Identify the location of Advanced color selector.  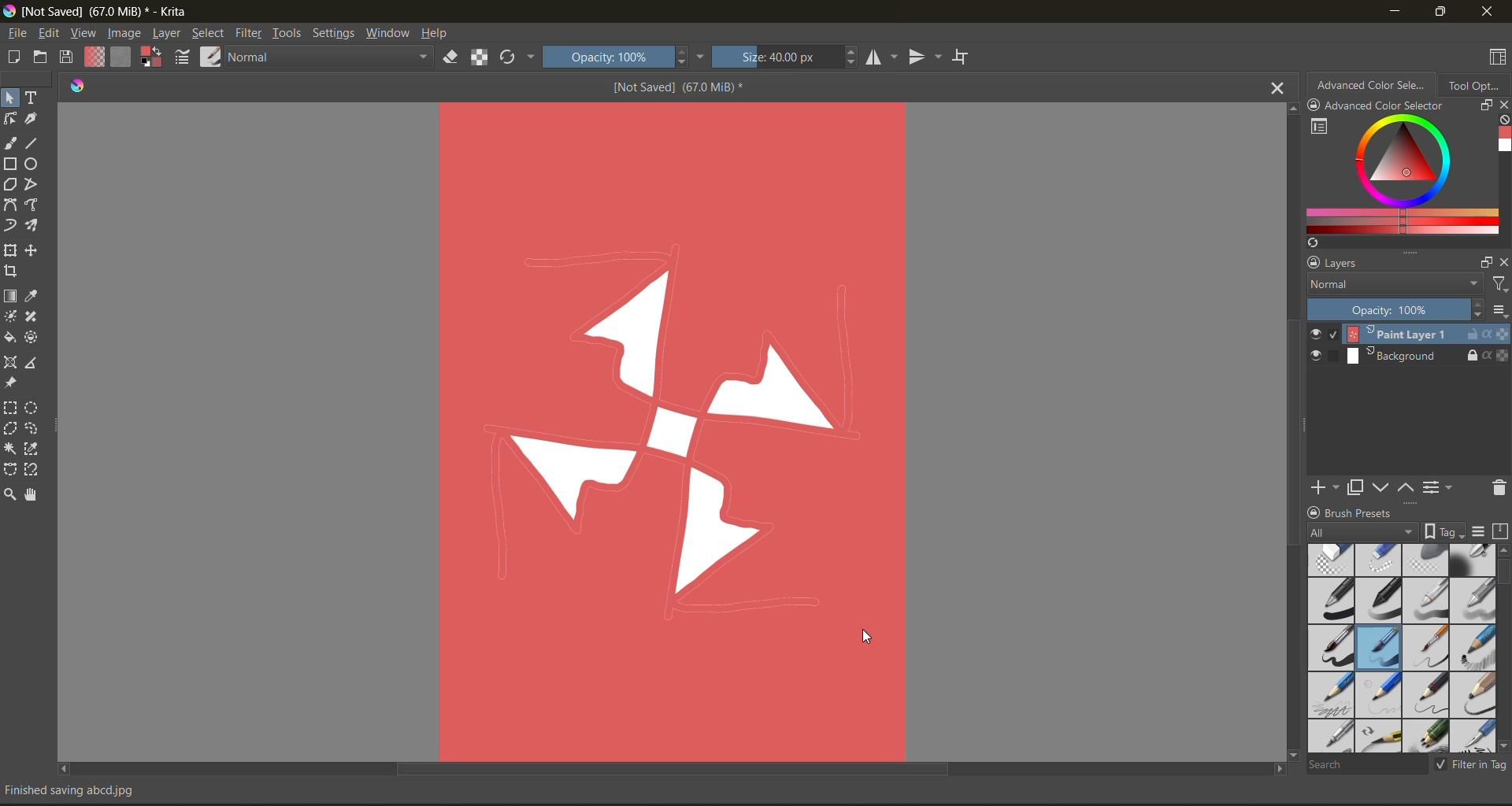
(1405, 106).